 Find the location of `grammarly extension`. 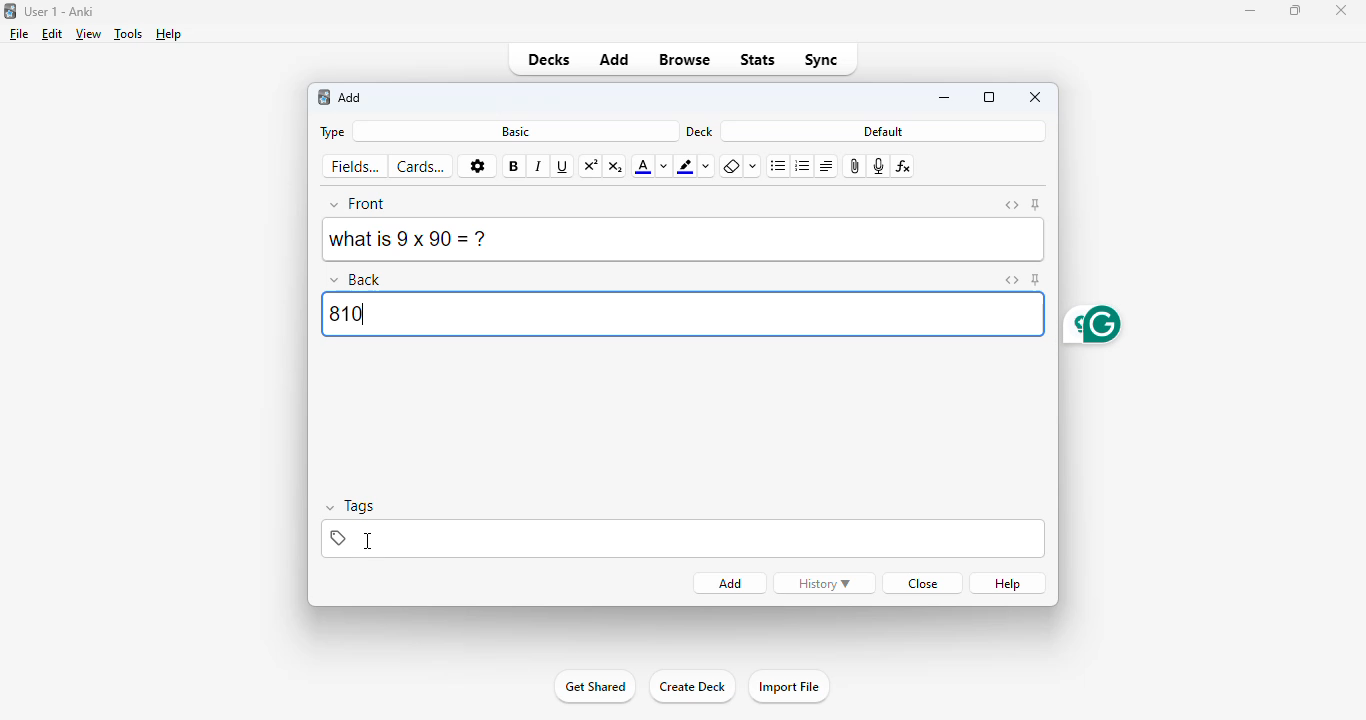

grammarly extension is located at coordinates (1090, 325).